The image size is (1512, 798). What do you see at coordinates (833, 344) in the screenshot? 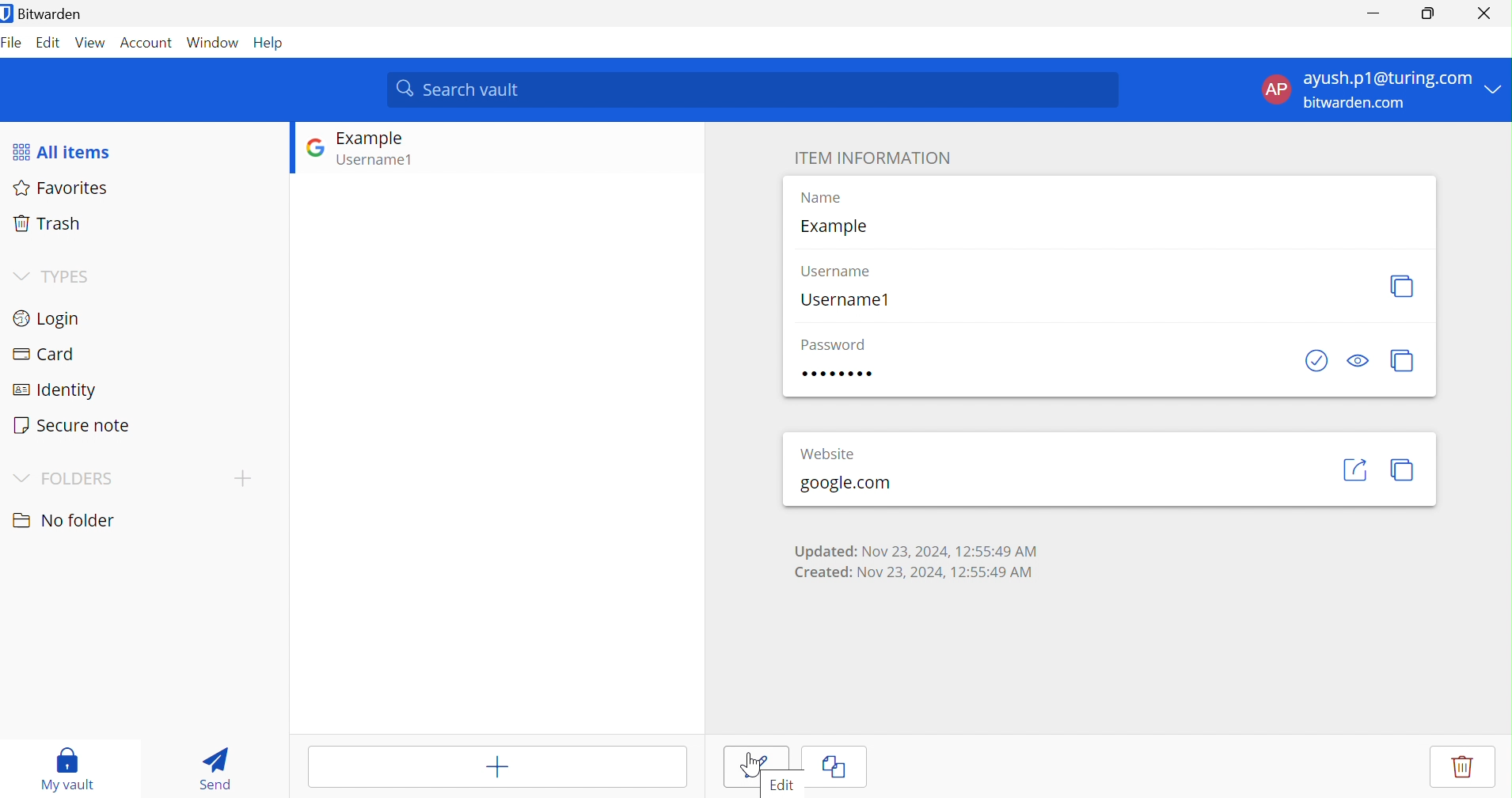
I see `Password` at bounding box center [833, 344].